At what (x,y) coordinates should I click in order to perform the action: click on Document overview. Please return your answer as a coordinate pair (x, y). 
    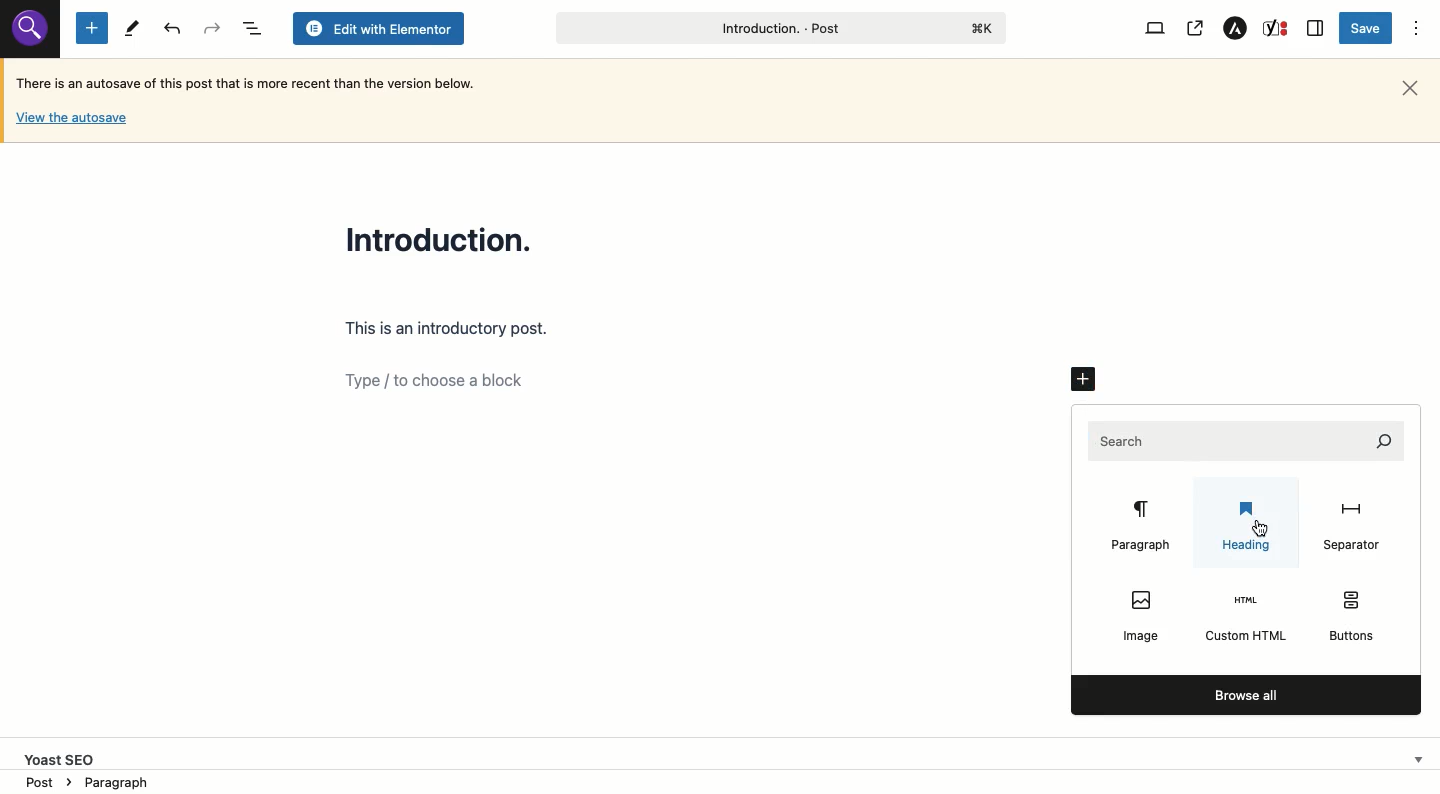
    Looking at the image, I should click on (250, 28).